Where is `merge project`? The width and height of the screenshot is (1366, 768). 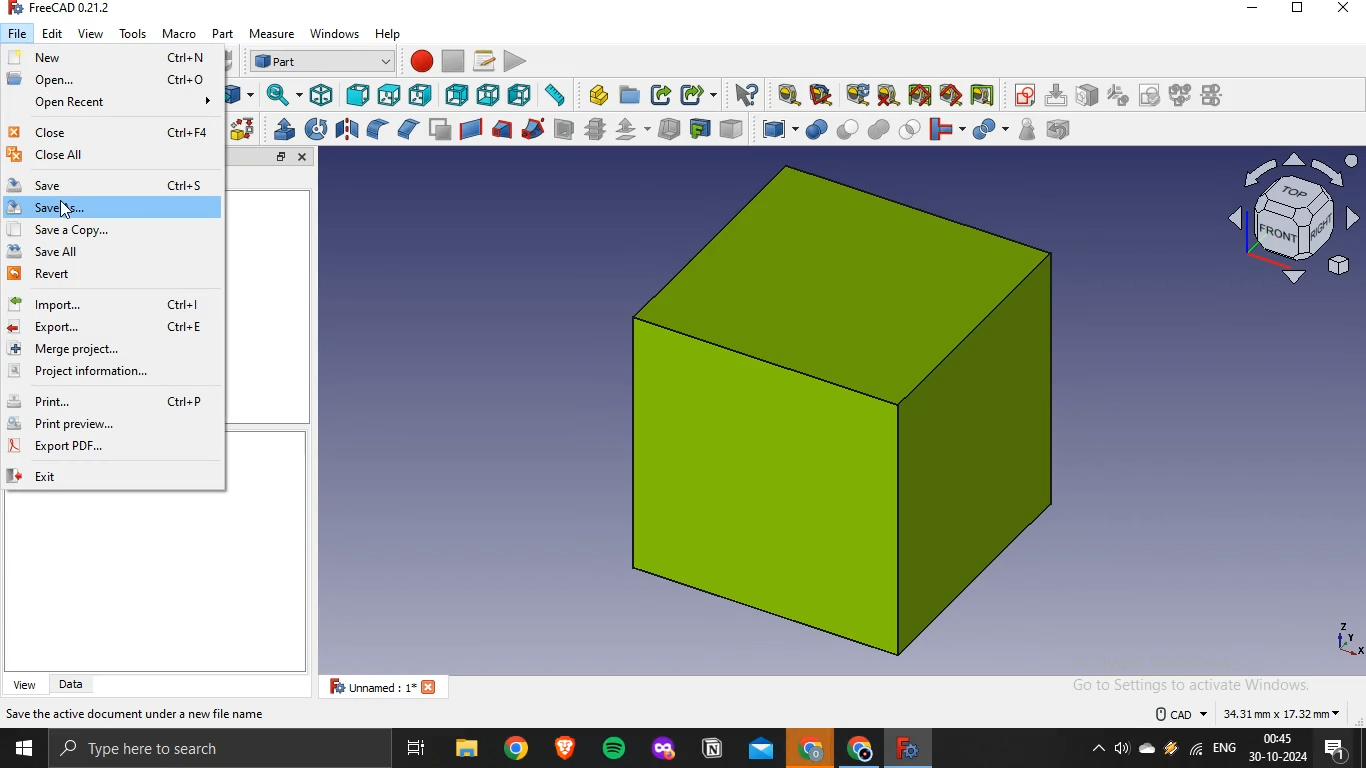
merge project is located at coordinates (106, 350).